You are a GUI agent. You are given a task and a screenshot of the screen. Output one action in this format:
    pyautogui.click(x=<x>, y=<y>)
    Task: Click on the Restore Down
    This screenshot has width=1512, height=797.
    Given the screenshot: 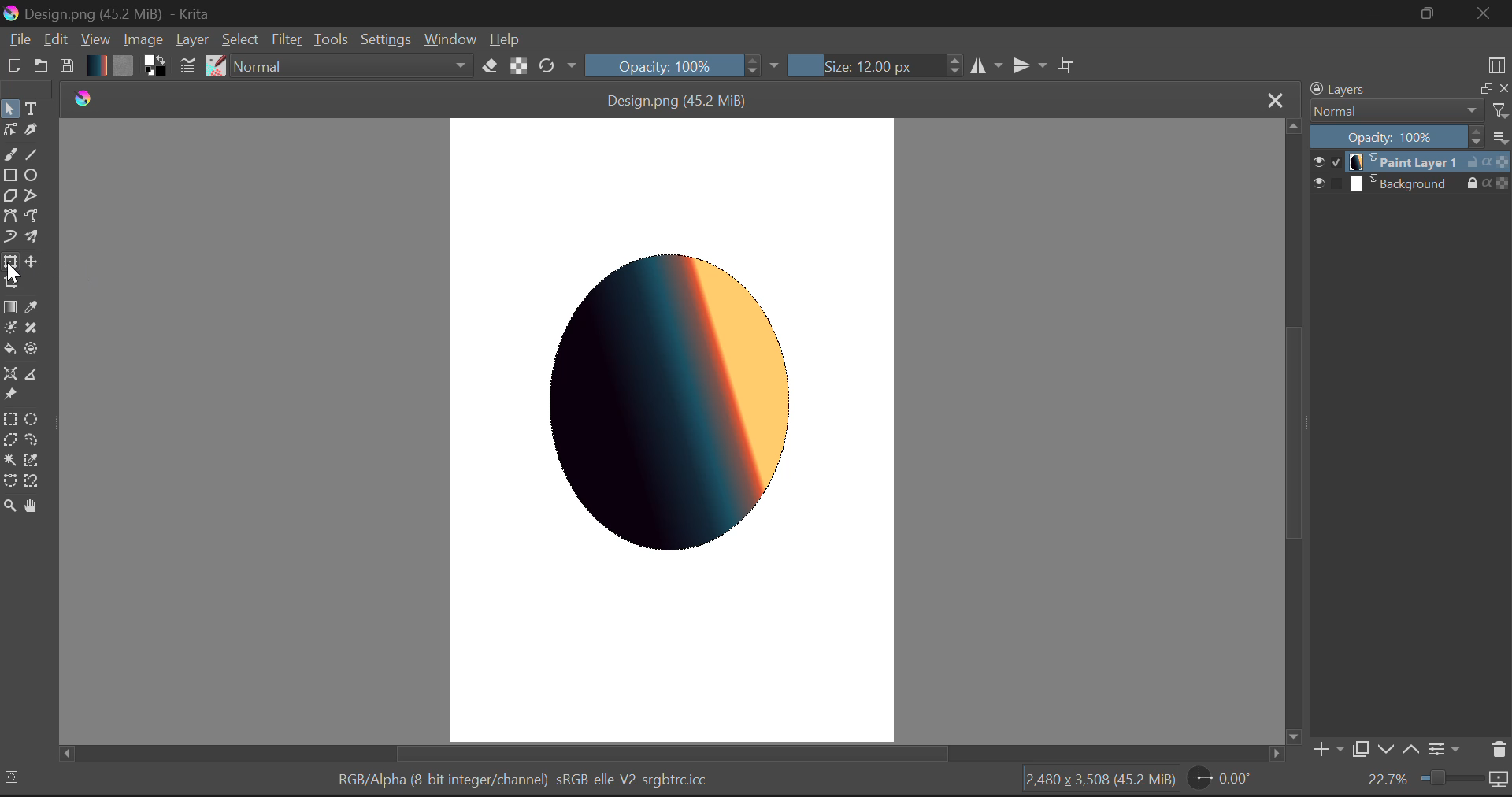 What is the action you would take?
    pyautogui.click(x=1371, y=13)
    